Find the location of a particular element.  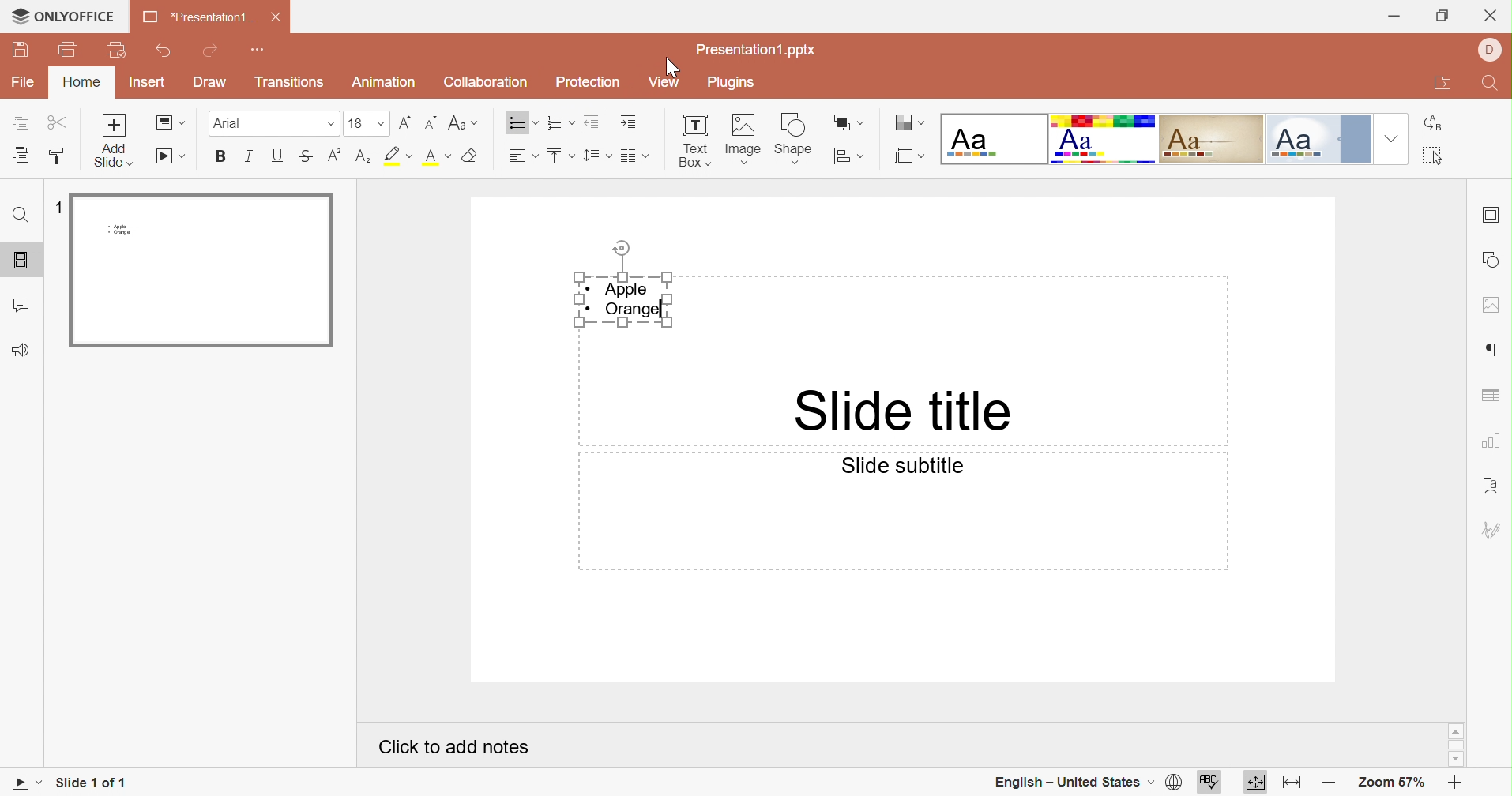

image settings is located at coordinates (1493, 302).